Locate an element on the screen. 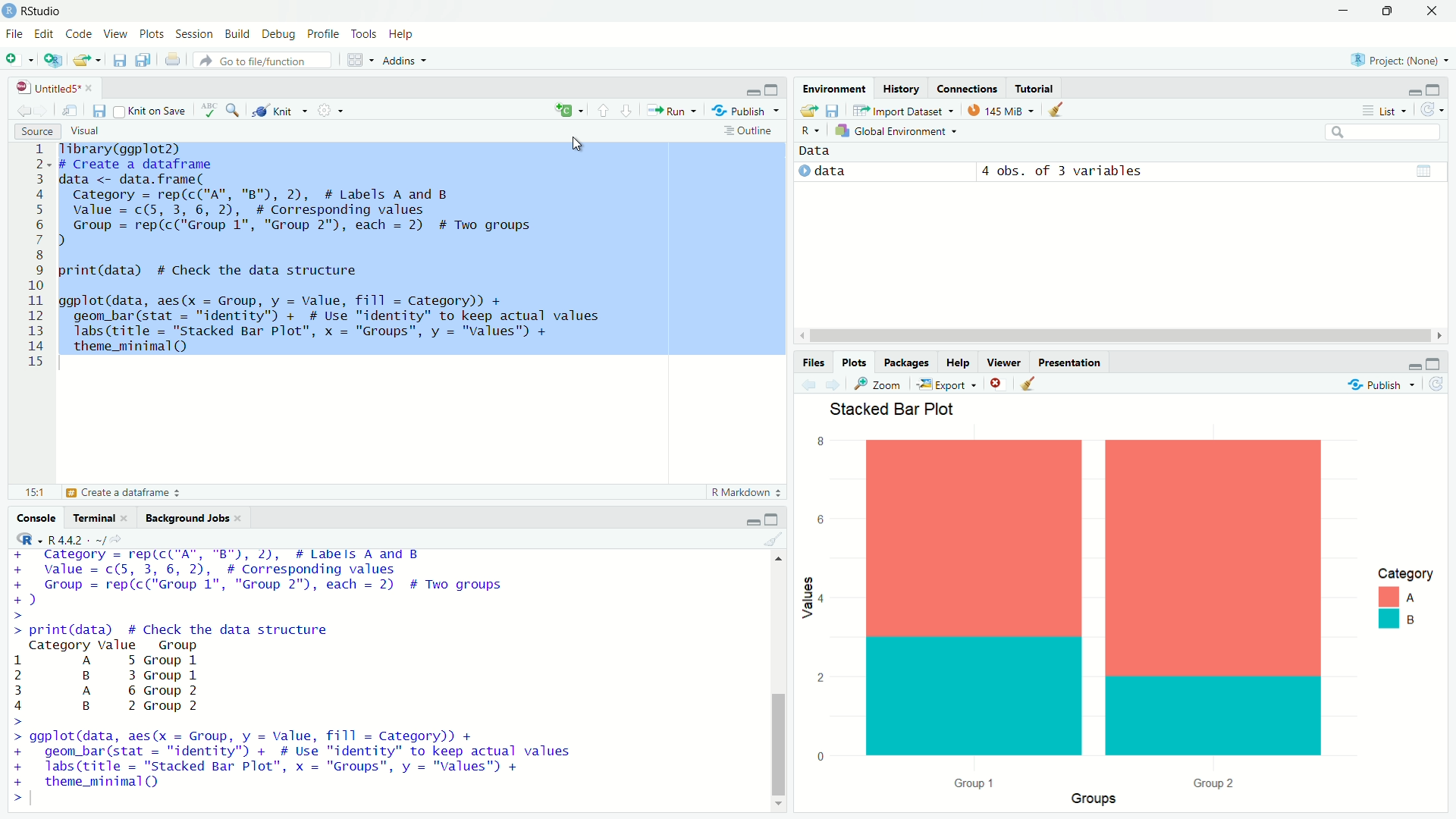 The height and width of the screenshot is (819, 1456). Print the current file is located at coordinates (174, 61).